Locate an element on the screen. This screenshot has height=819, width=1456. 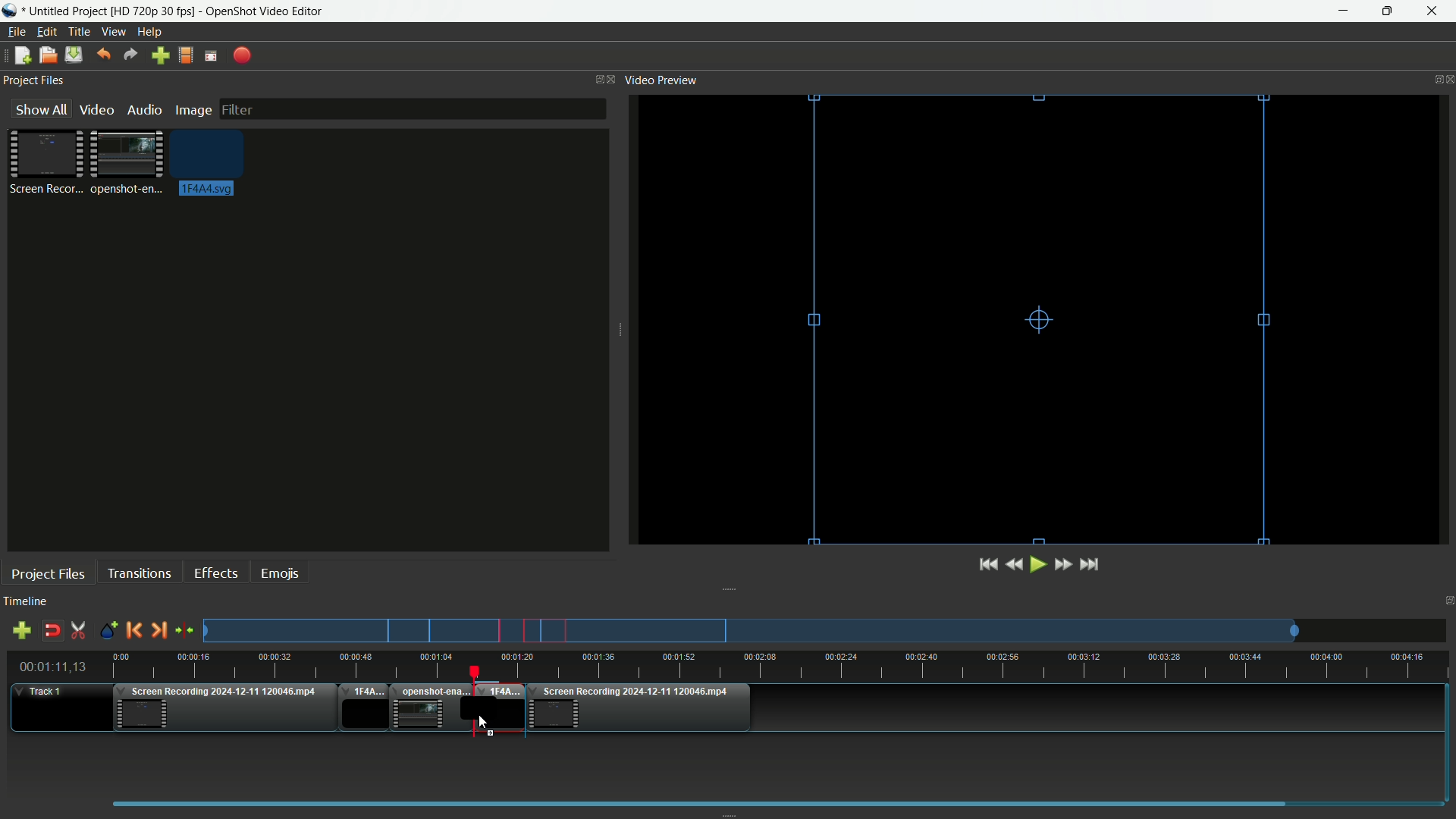
Preview track one is located at coordinates (830, 631).